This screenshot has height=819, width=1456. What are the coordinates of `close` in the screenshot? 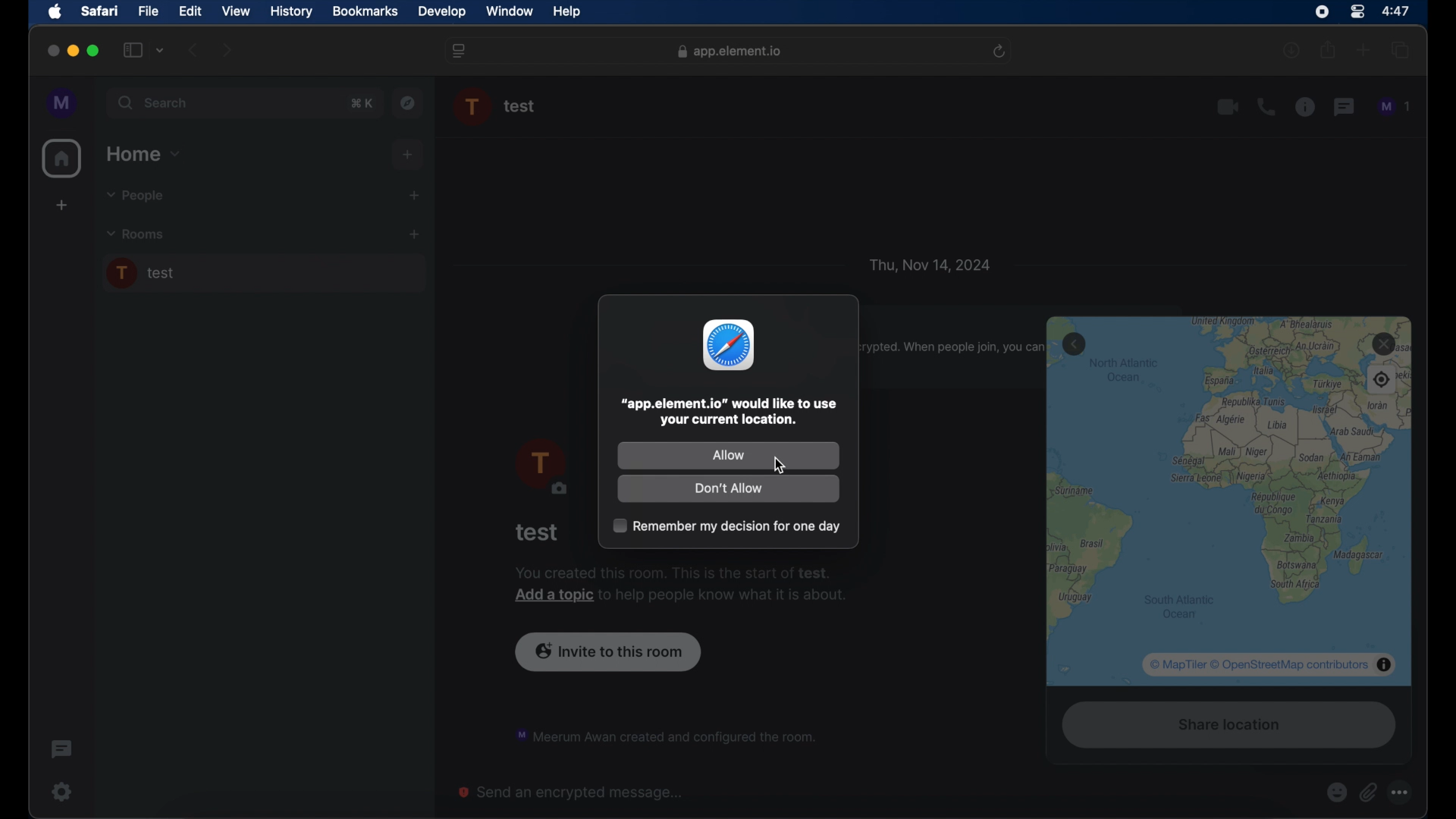 It's located at (52, 51).